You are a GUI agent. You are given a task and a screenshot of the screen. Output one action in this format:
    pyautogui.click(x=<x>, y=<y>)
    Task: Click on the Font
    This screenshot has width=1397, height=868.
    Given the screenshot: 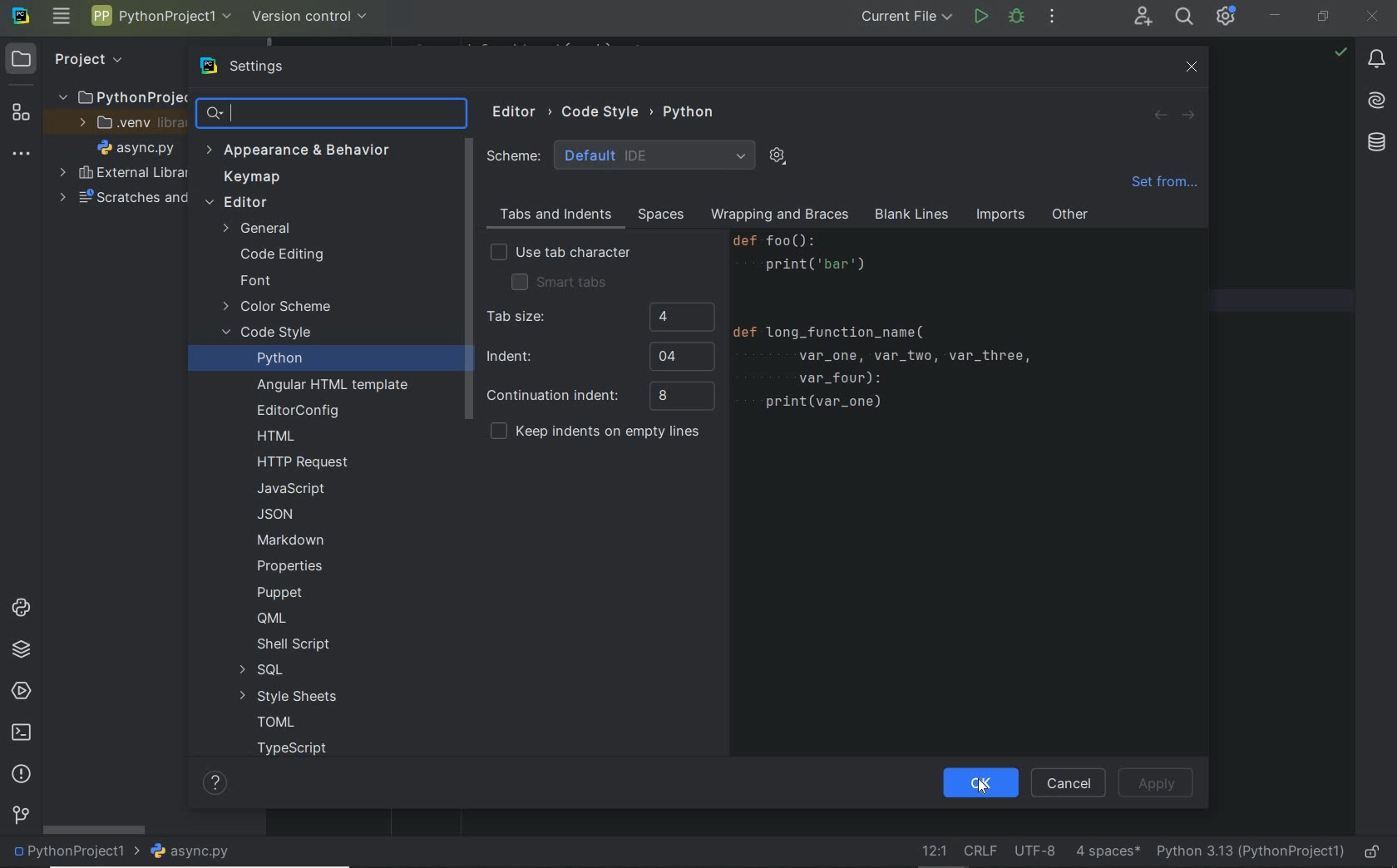 What is the action you would take?
    pyautogui.click(x=254, y=281)
    